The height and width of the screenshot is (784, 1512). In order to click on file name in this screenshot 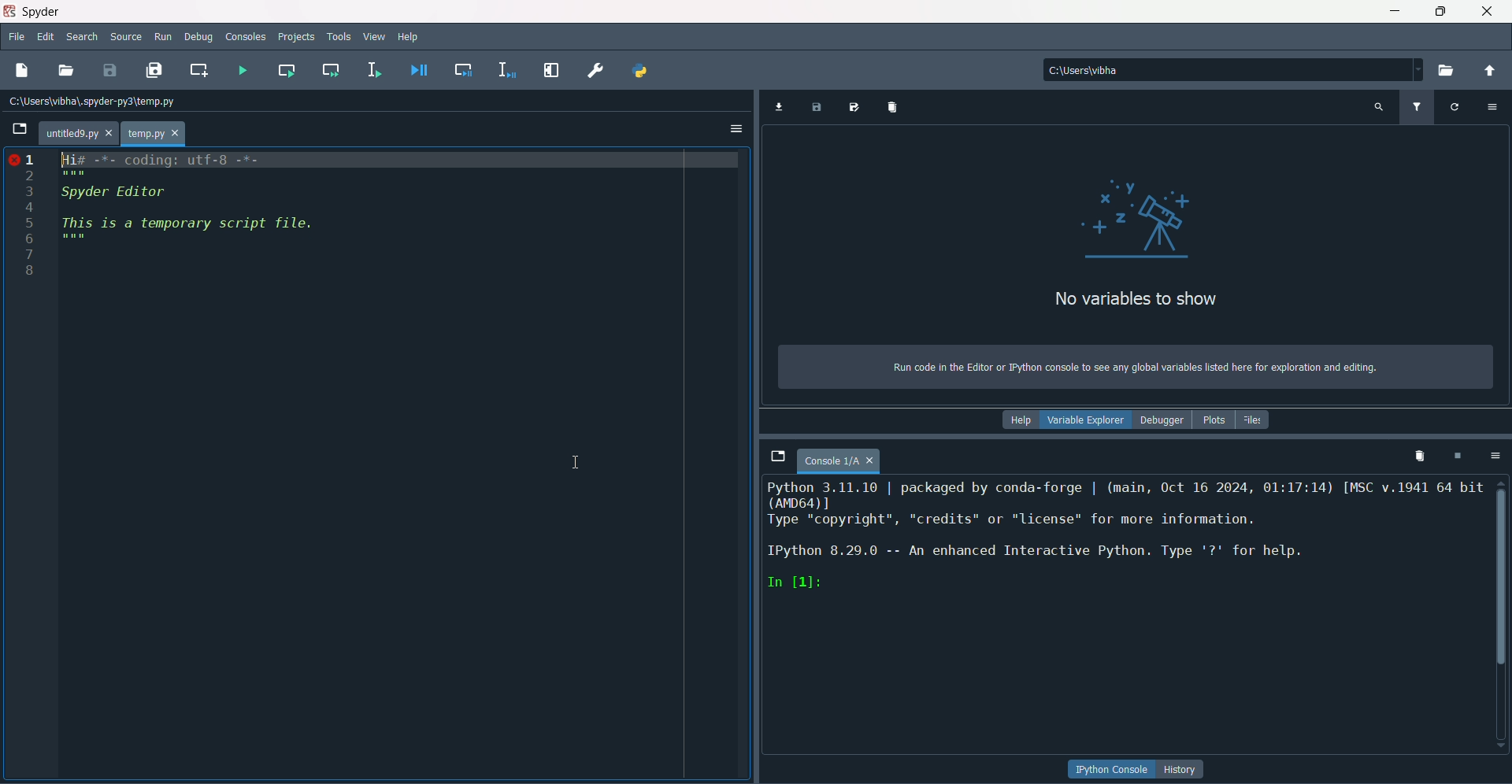, I will do `click(79, 134)`.